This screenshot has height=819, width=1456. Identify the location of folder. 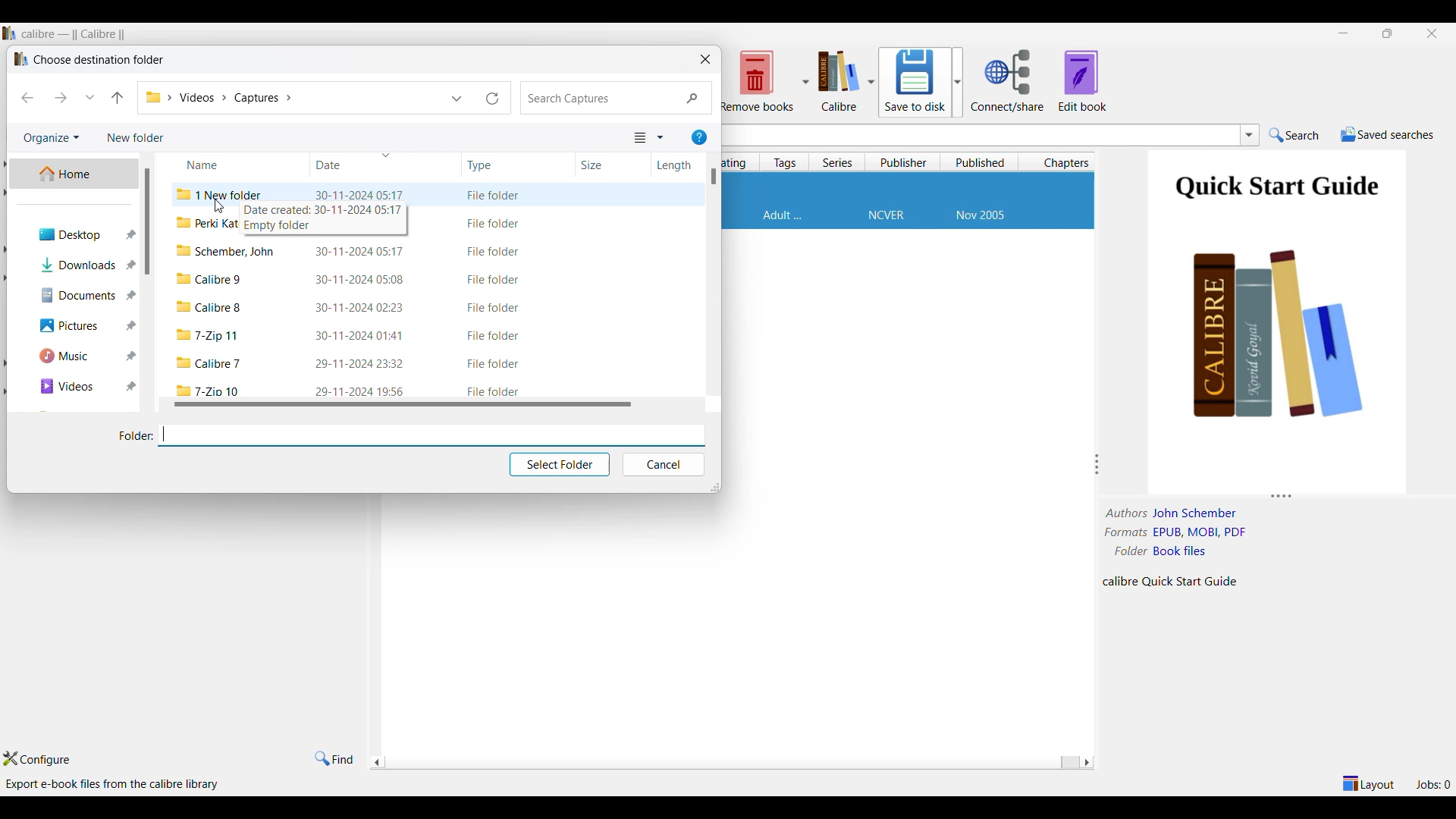
(209, 389).